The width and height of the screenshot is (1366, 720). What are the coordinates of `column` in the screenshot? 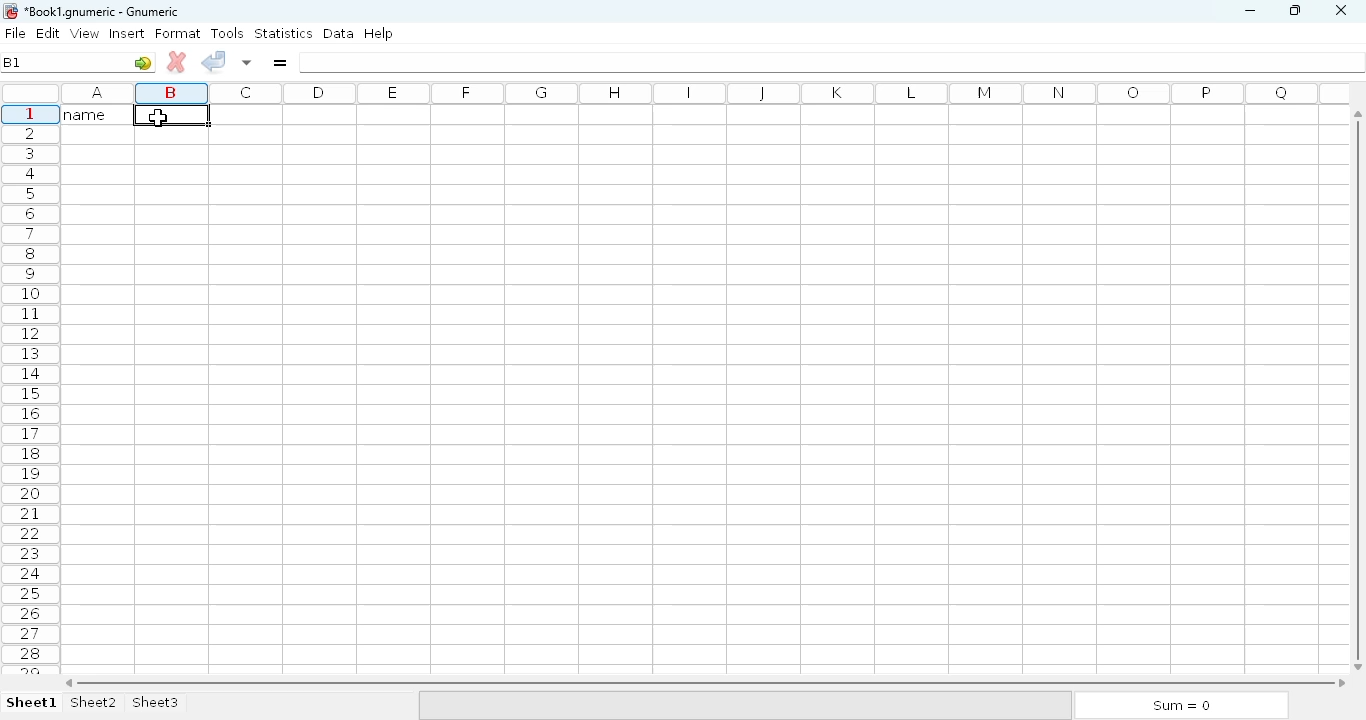 It's located at (699, 91).